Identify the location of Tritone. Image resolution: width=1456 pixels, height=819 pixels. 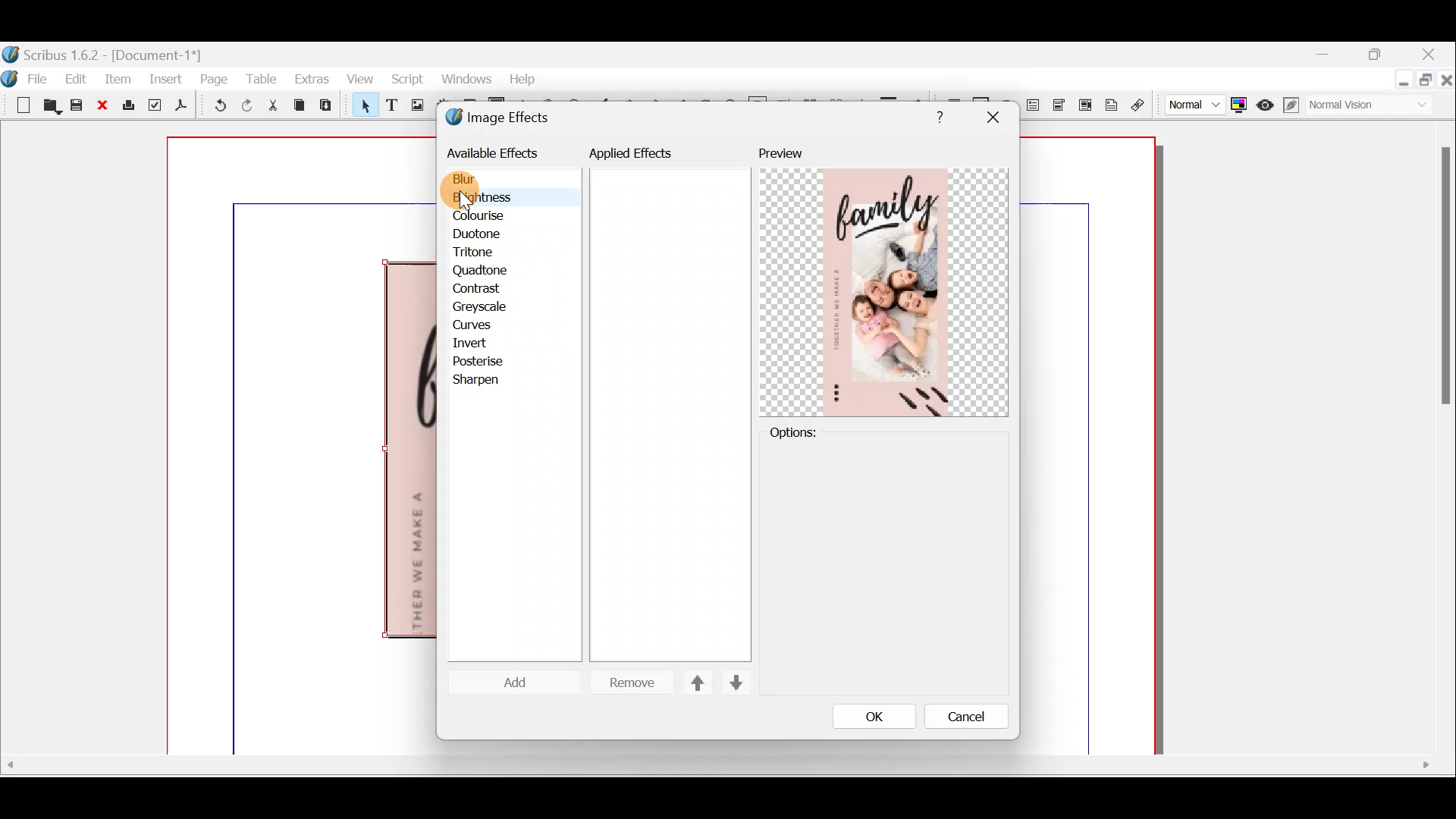
(480, 254).